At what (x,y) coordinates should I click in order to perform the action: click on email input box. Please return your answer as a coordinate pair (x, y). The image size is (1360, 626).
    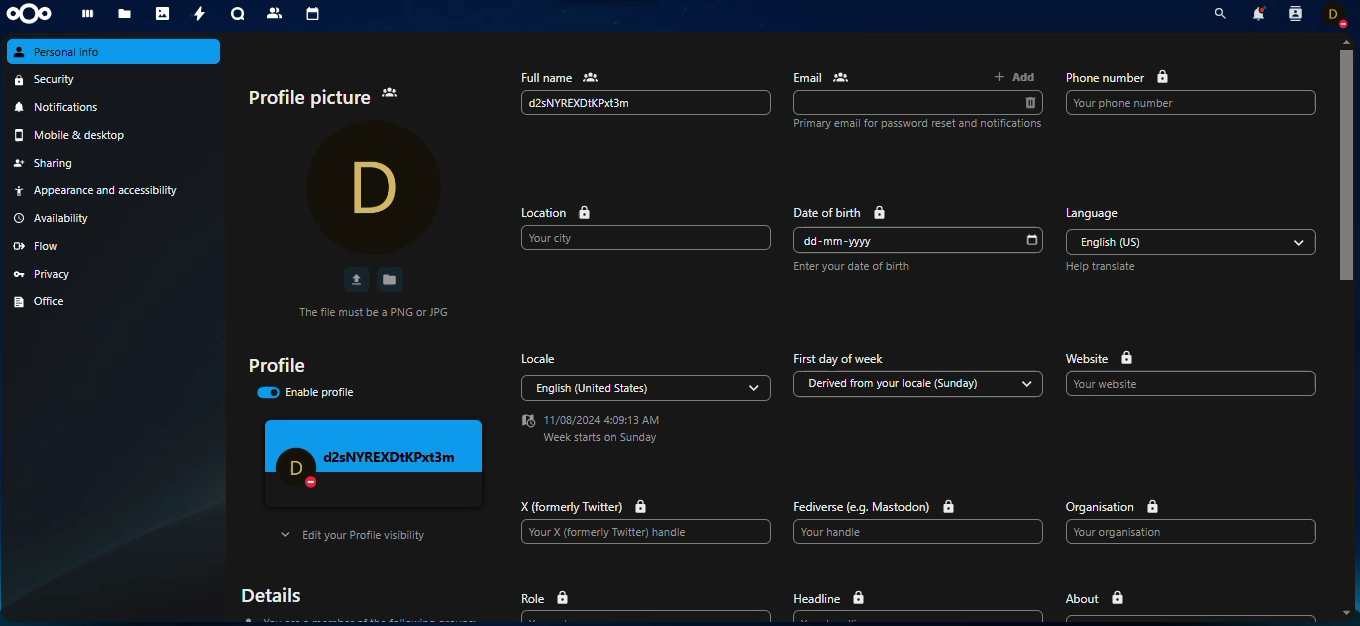
    Looking at the image, I should click on (906, 103).